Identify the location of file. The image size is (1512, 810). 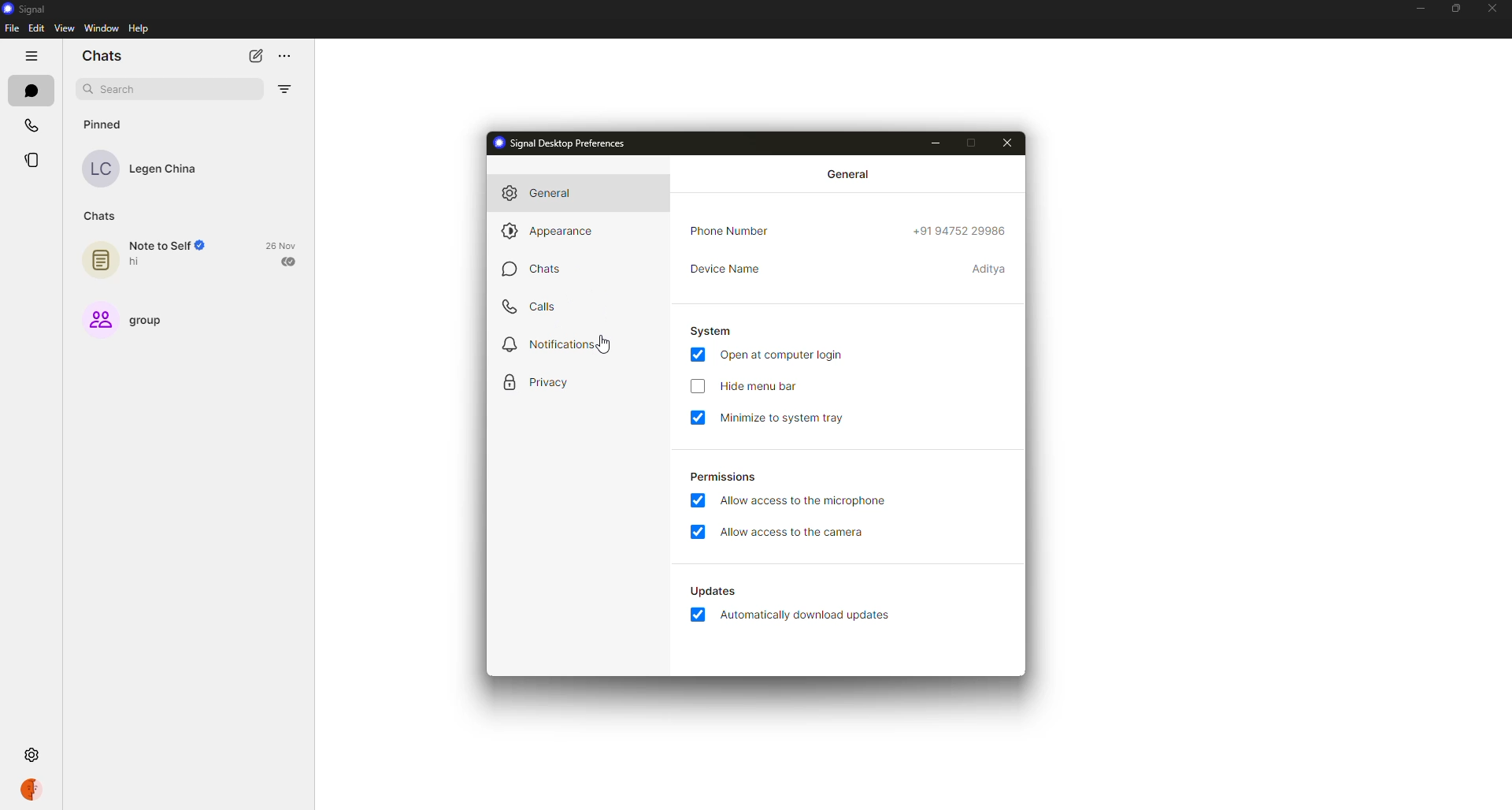
(13, 29).